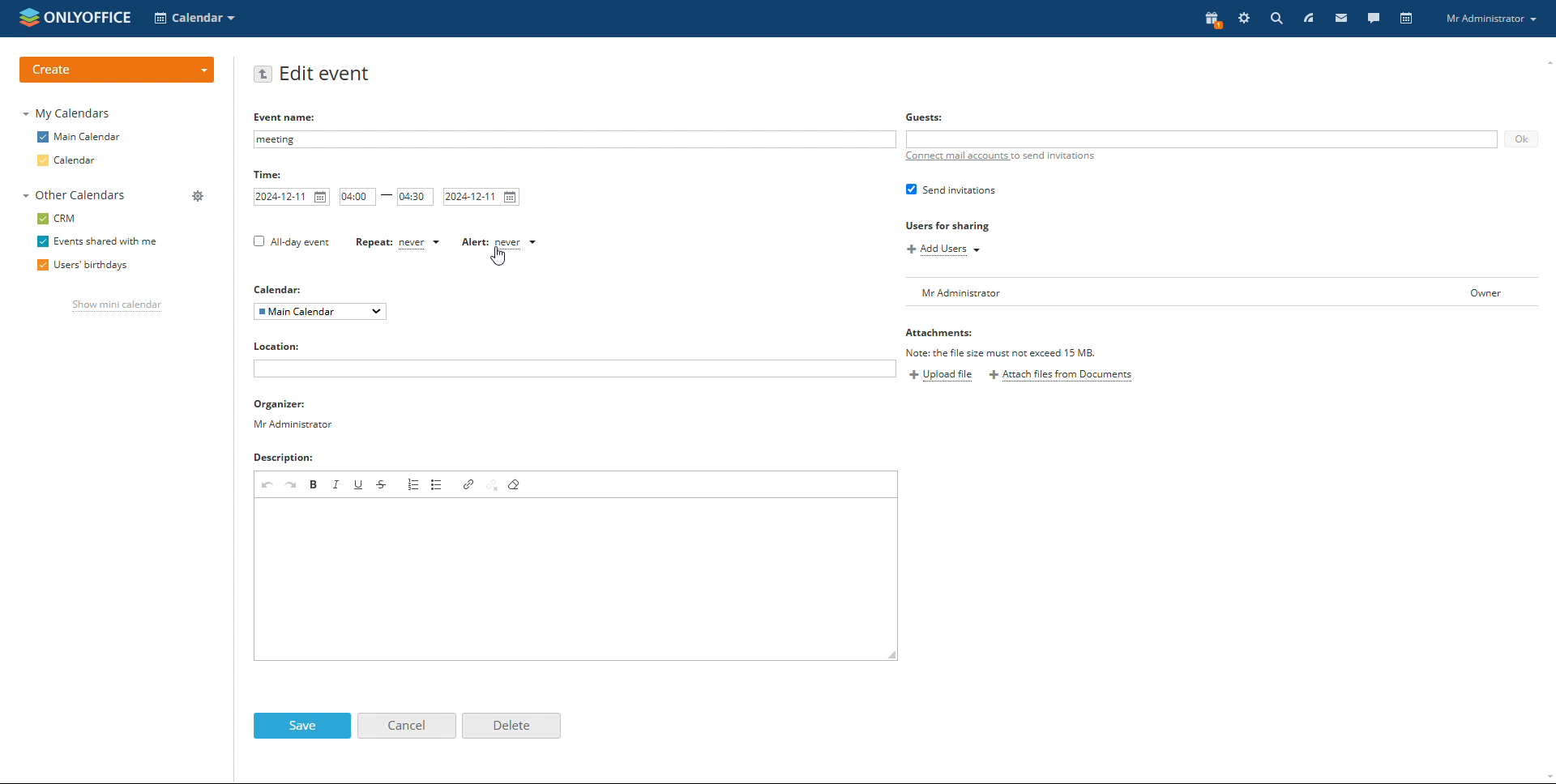 This screenshot has width=1556, height=784. What do you see at coordinates (287, 116) in the screenshot?
I see `Event name:` at bounding box center [287, 116].